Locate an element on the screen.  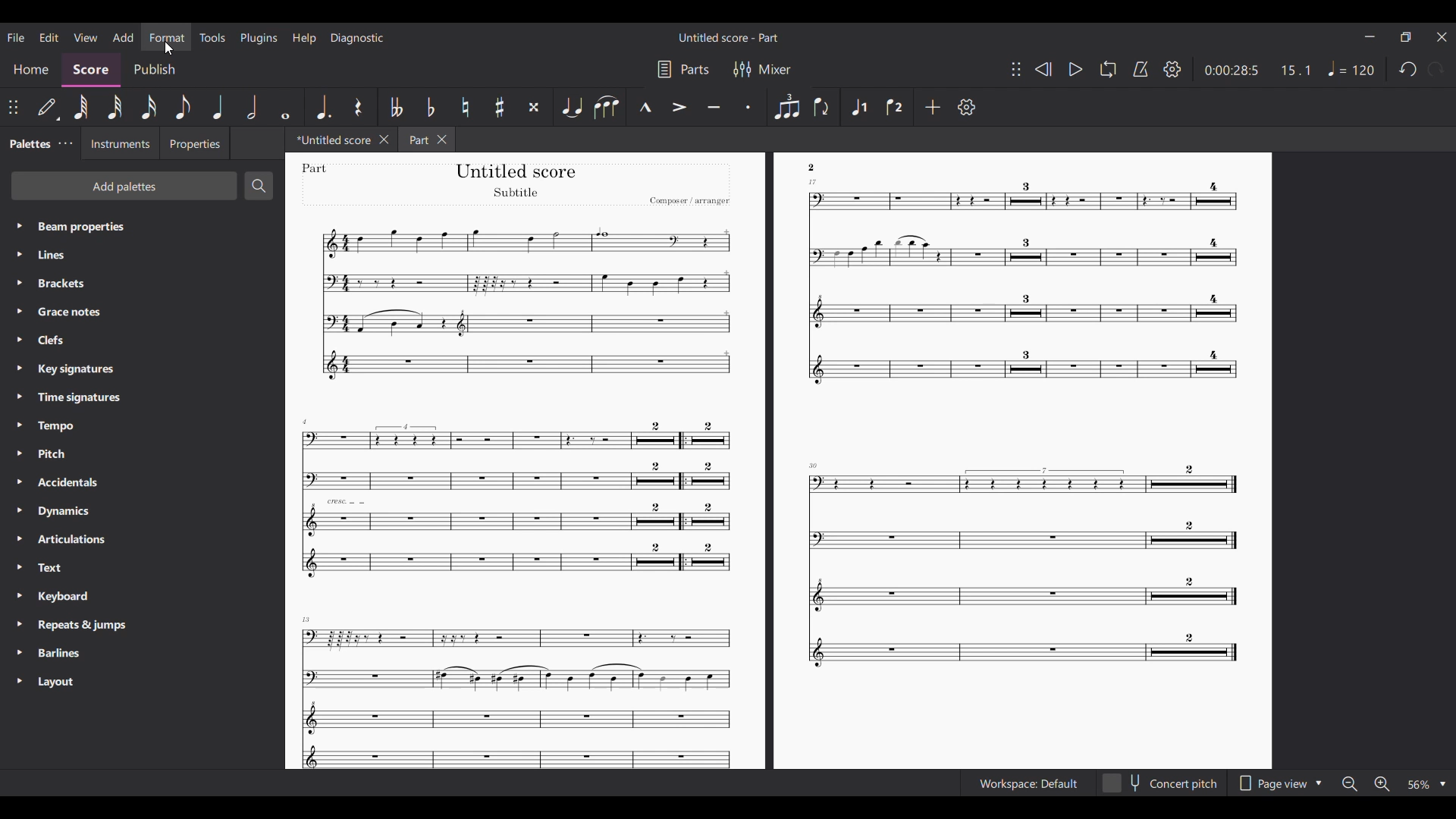
Lines is located at coordinates (74, 253).